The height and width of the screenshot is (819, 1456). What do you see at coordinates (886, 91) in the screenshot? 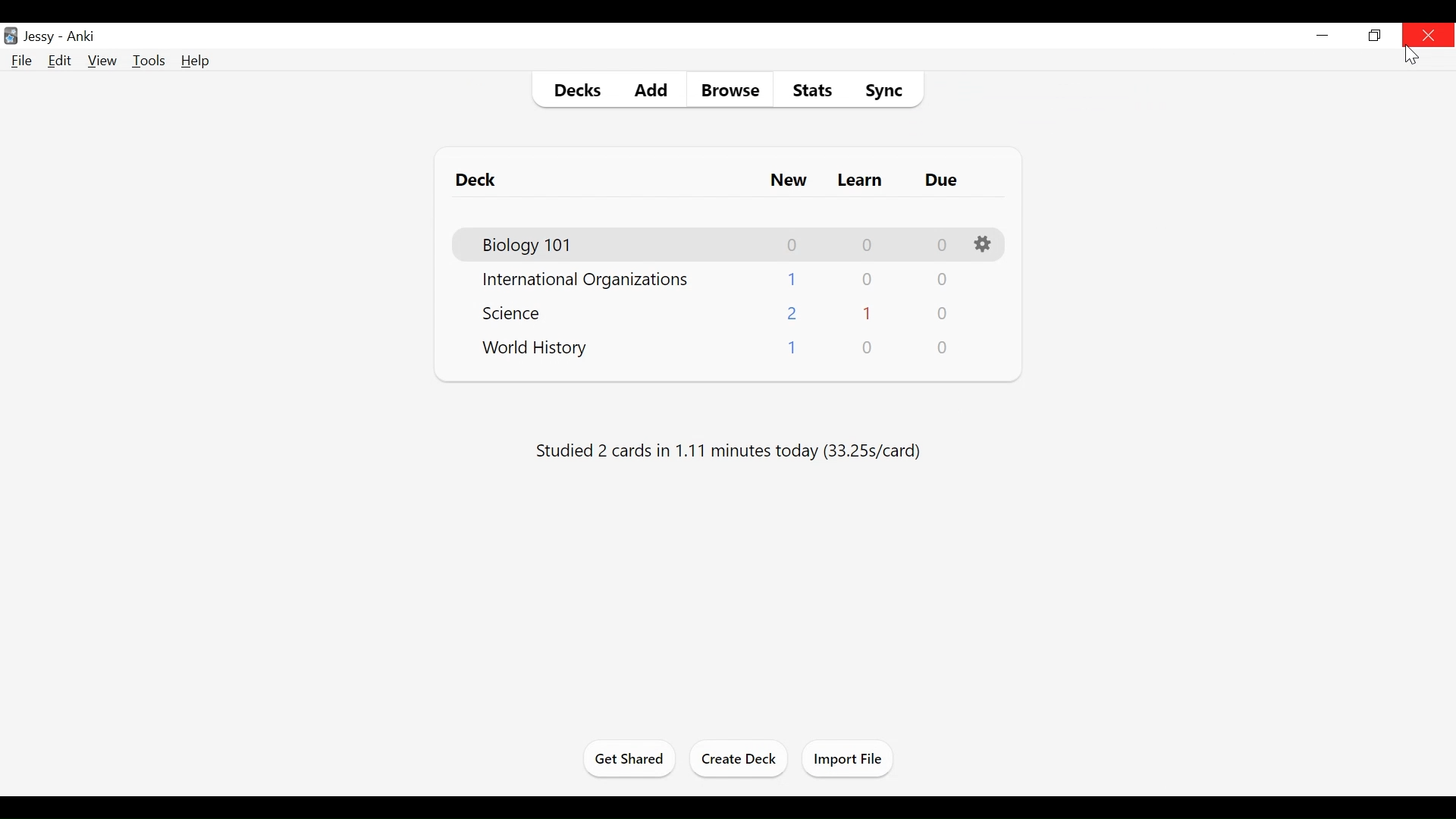
I see `Sync` at bounding box center [886, 91].